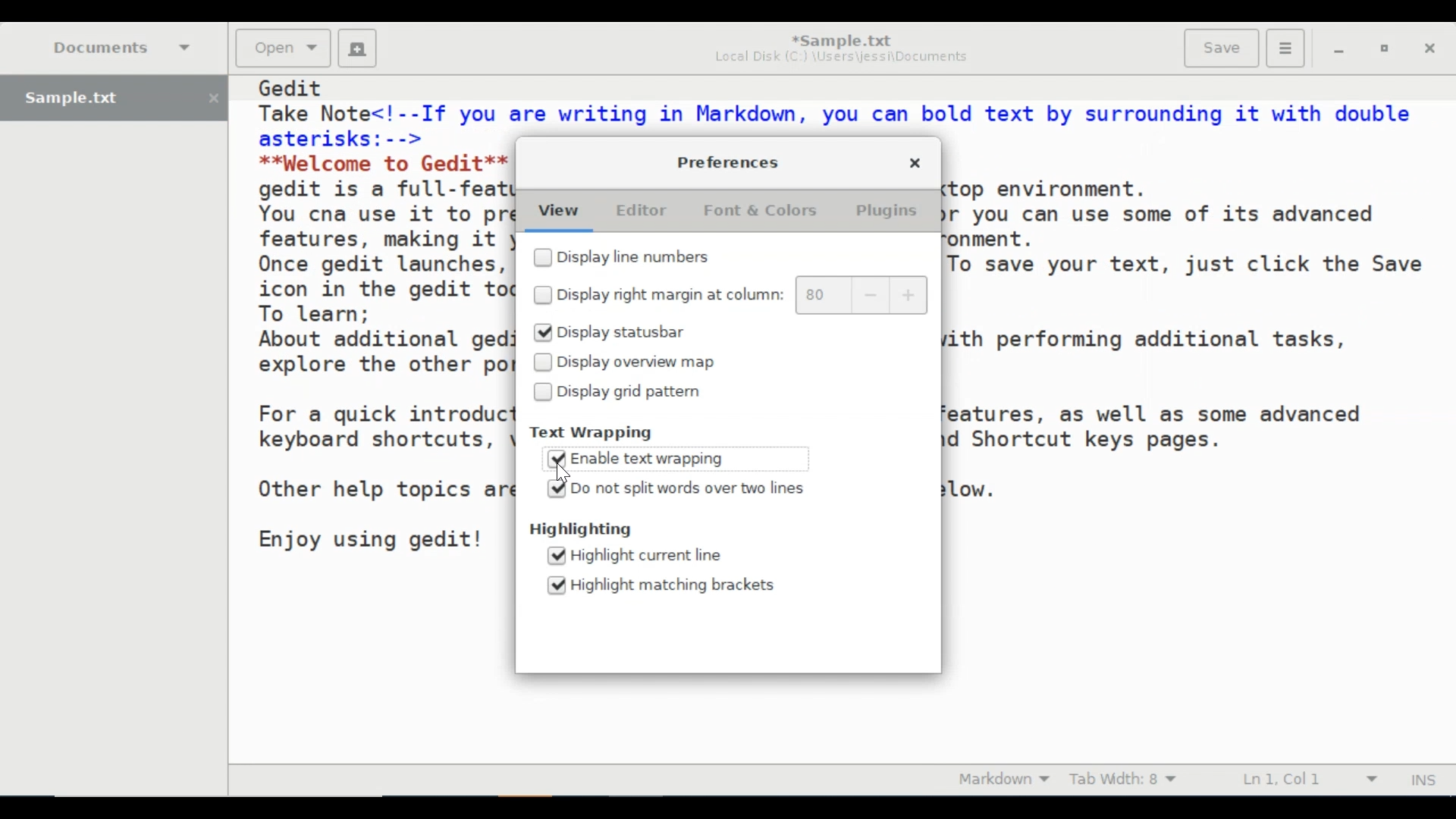 Image resolution: width=1456 pixels, height=819 pixels. What do you see at coordinates (913, 163) in the screenshot?
I see `Close` at bounding box center [913, 163].